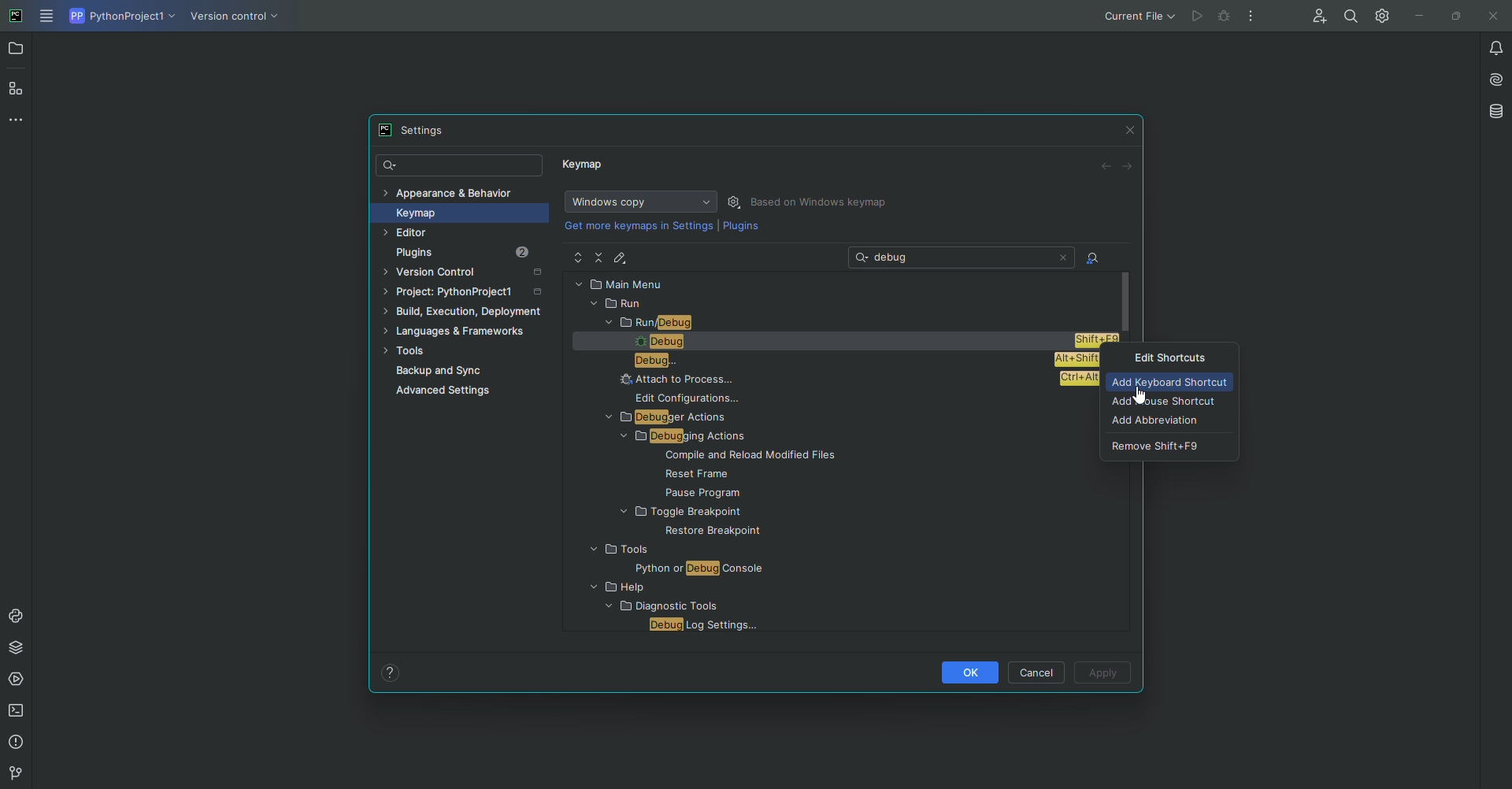  Describe the element at coordinates (672, 569) in the screenshot. I see `FILE NAME` at that location.